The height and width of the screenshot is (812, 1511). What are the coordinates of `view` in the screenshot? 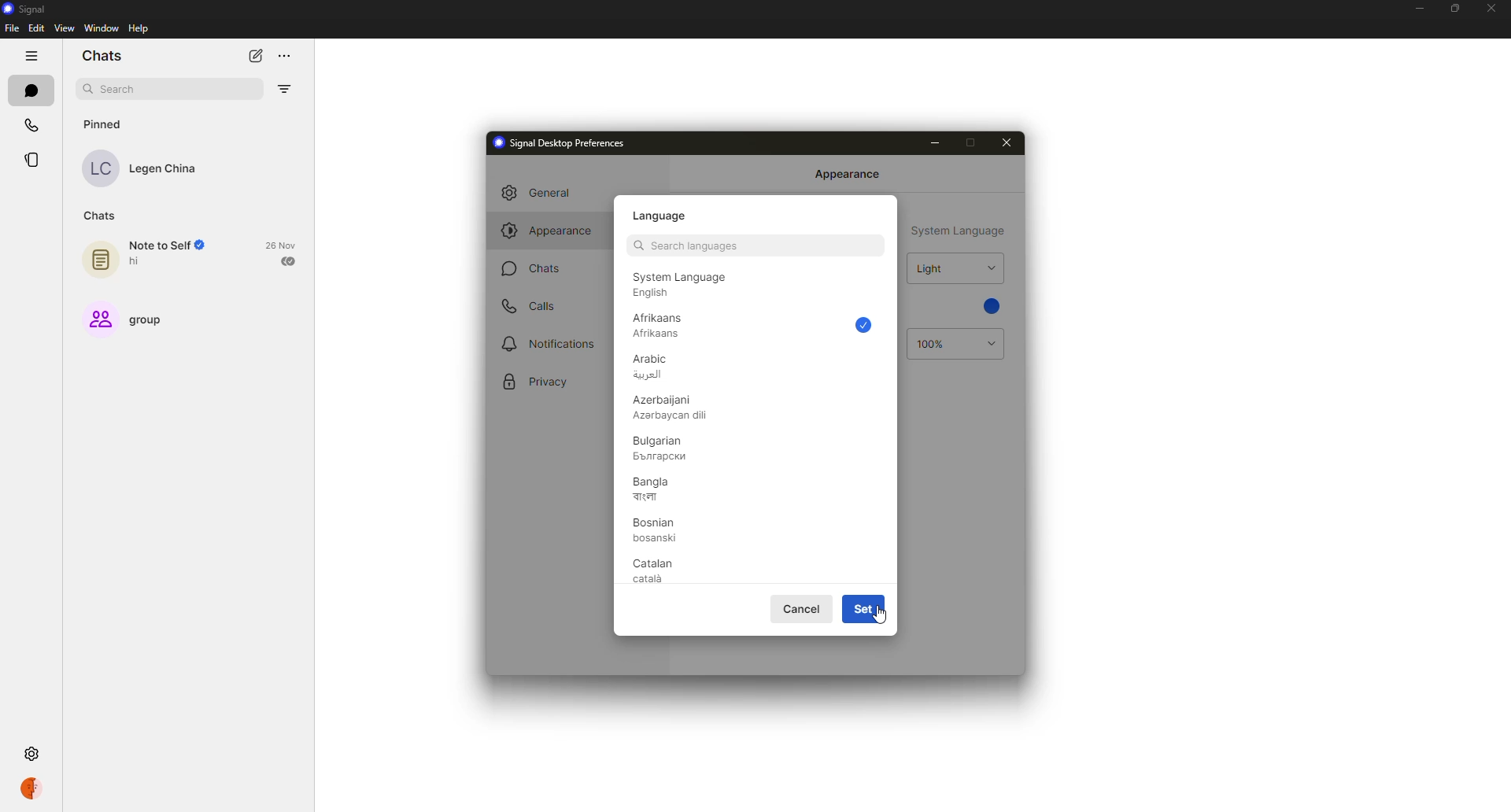 It's located at (63, 30).